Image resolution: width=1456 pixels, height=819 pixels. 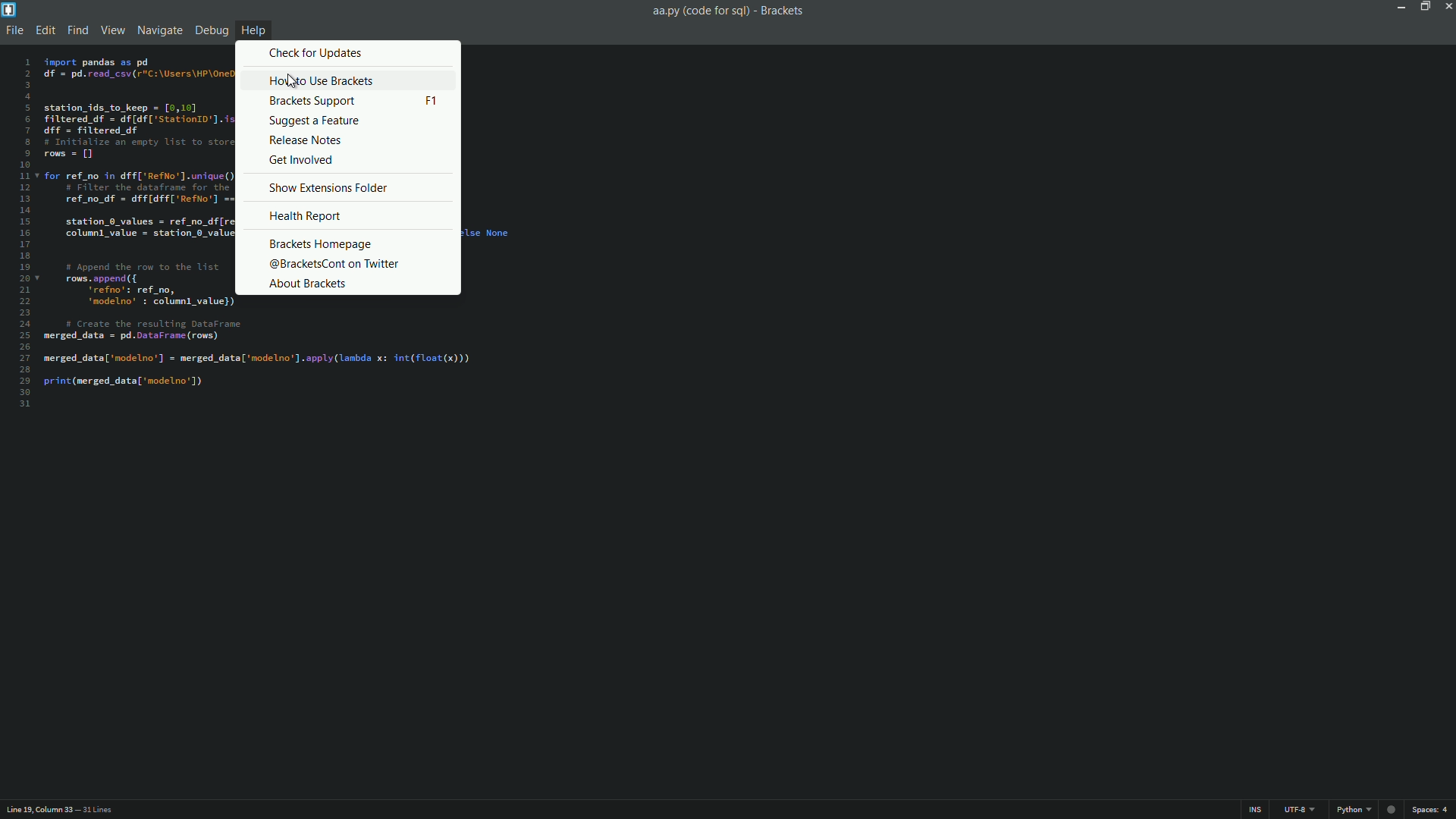 I want to click on Cursor, so click(x=293, y=80).